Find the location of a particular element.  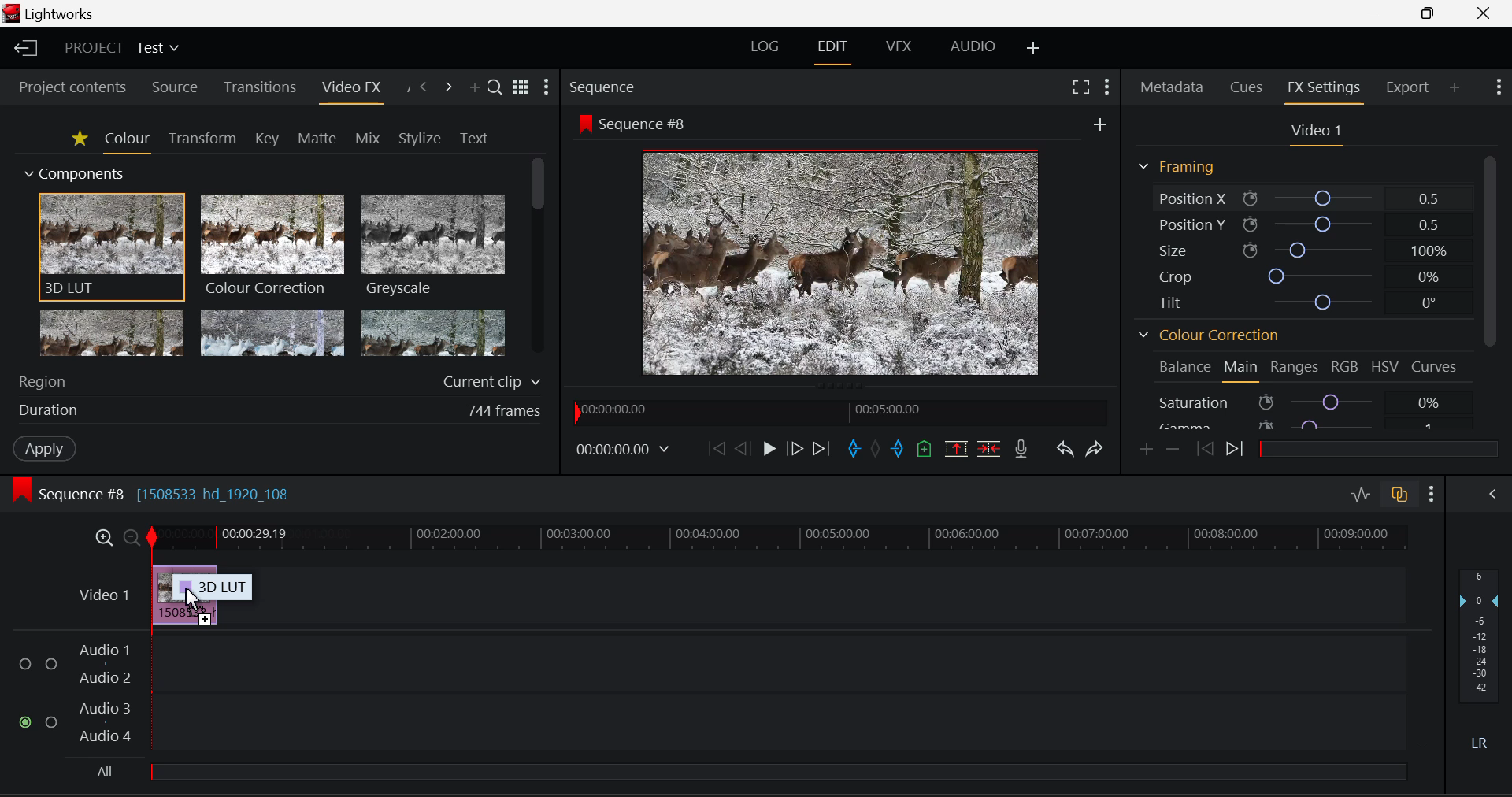

Apply is located at coordinates (42, 449).